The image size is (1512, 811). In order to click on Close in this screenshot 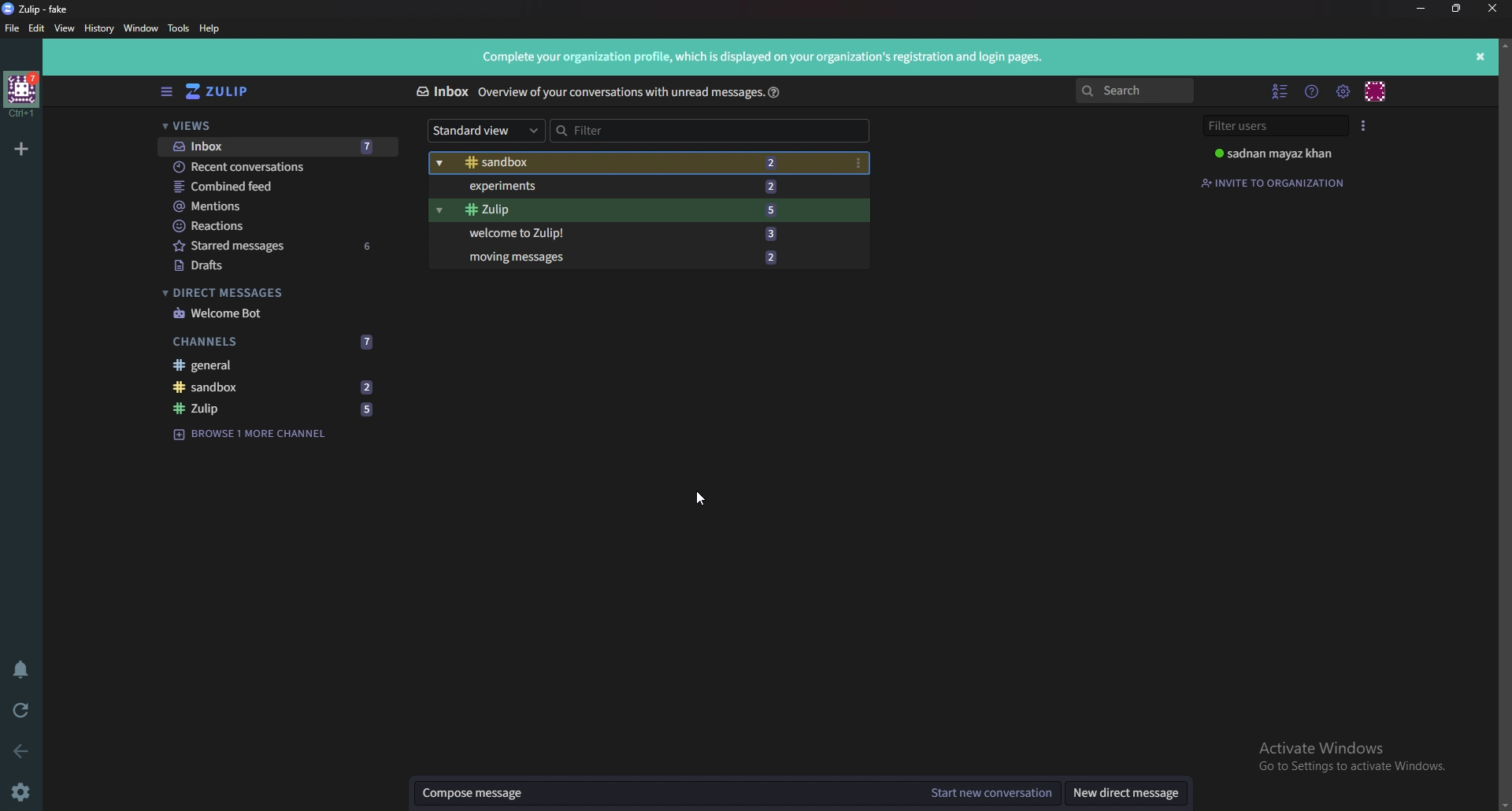, I will do `click(1492, 8)`.